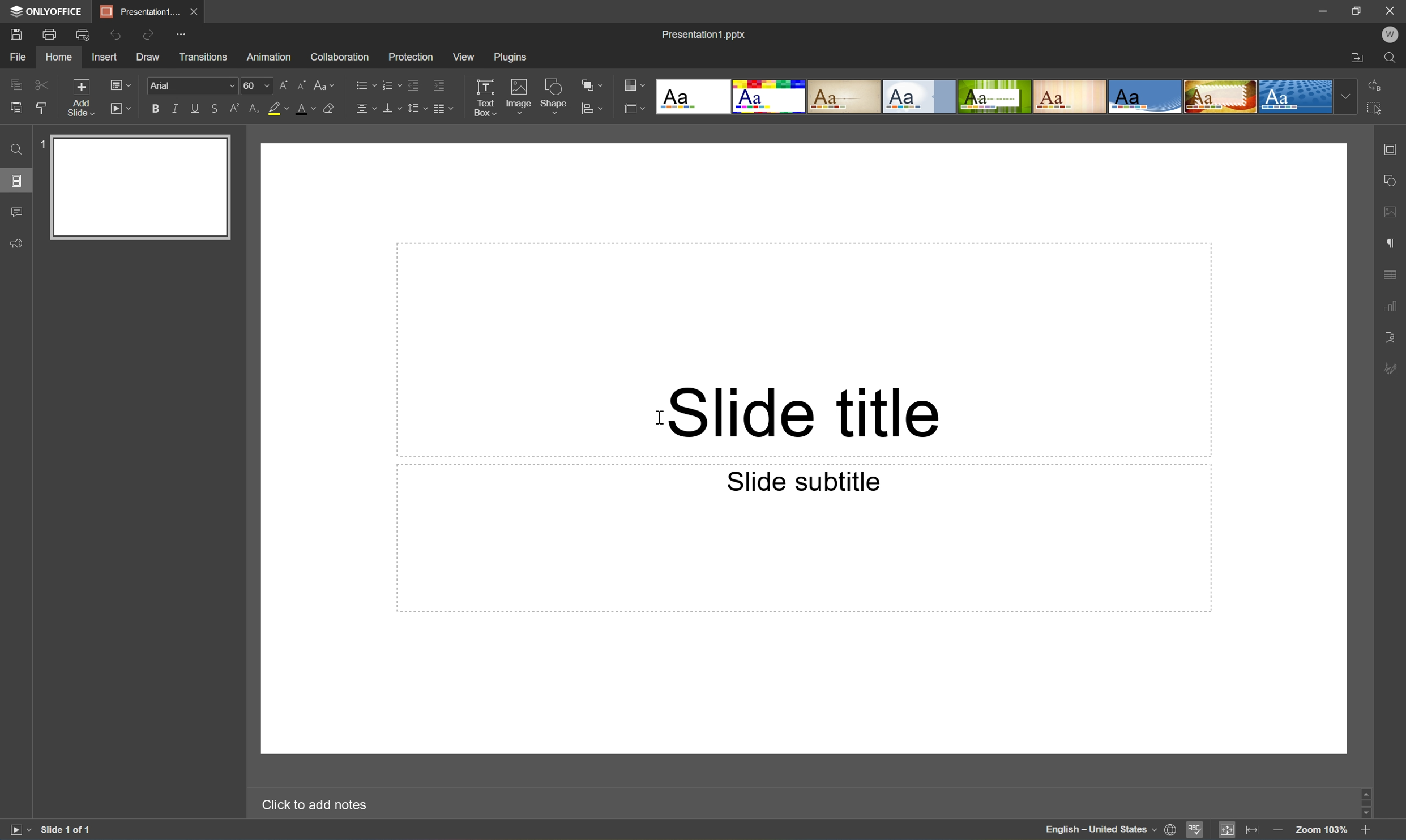 The image size is (1406, 840). Describe the element at coordinates (164, 84) in the screenshot. I see `Font` at that location.